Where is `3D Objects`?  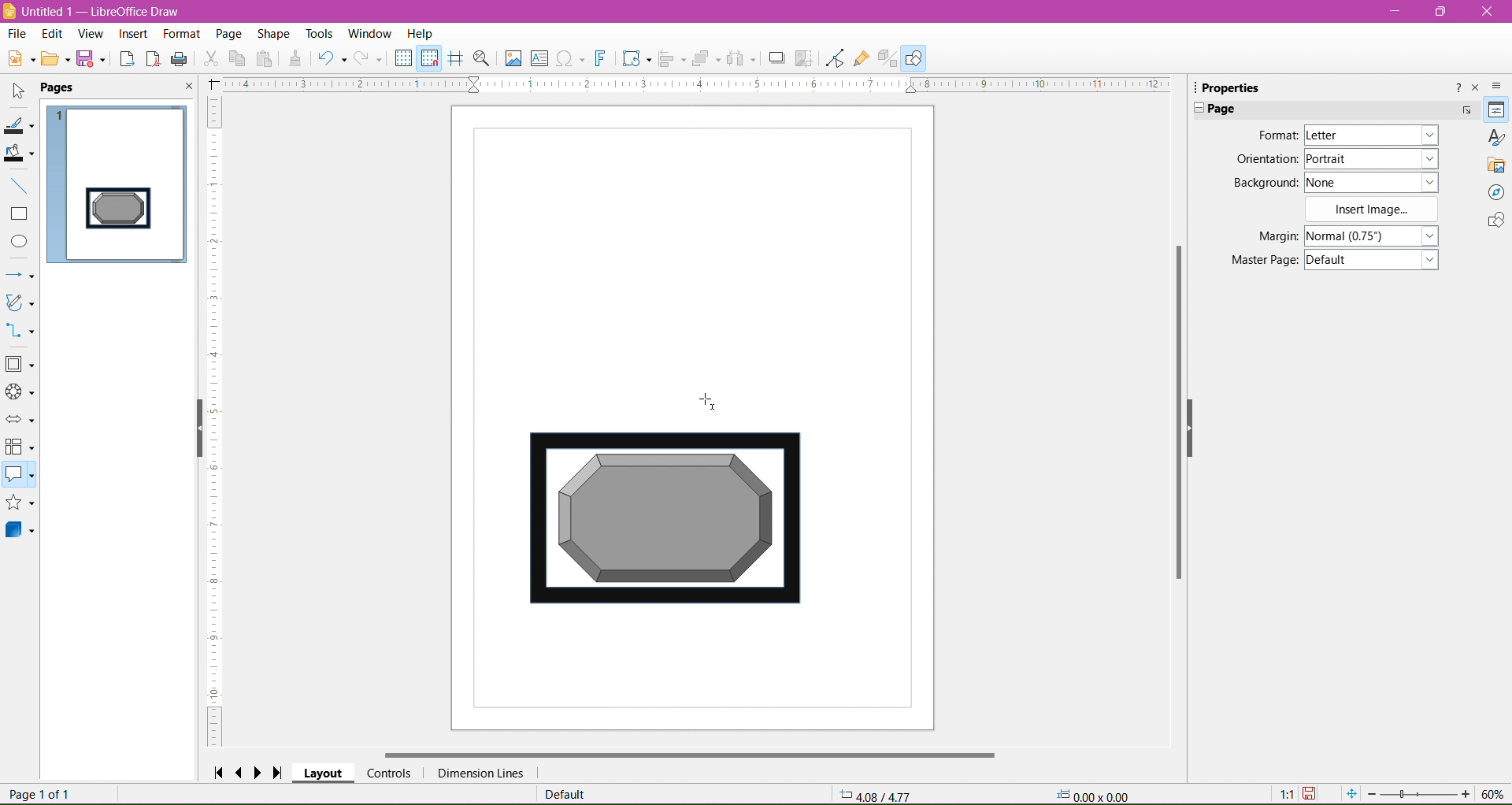
3D Objects is located at coordinates (20, 532).